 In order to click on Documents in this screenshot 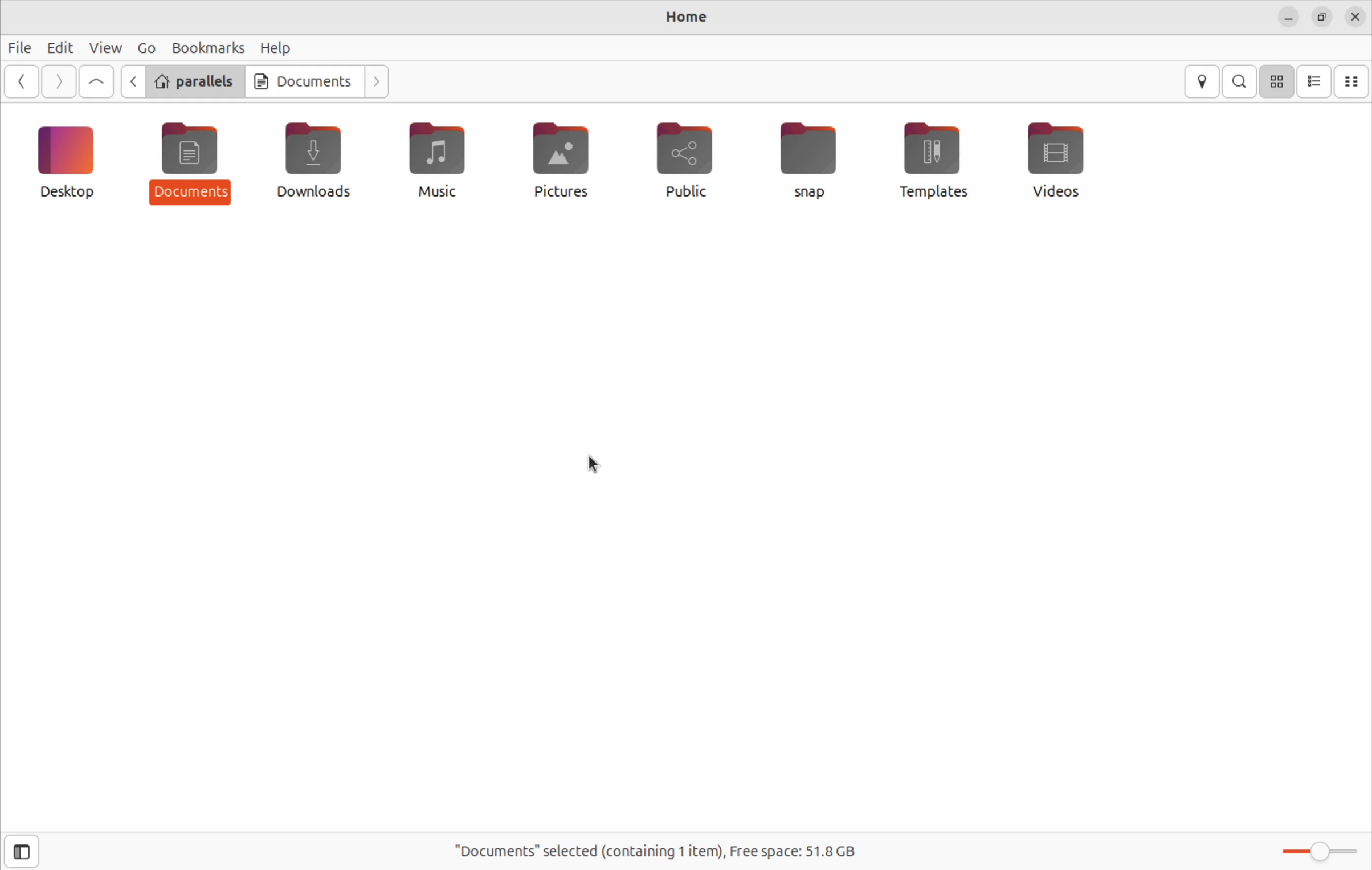, I will do `click(304, 80)`.